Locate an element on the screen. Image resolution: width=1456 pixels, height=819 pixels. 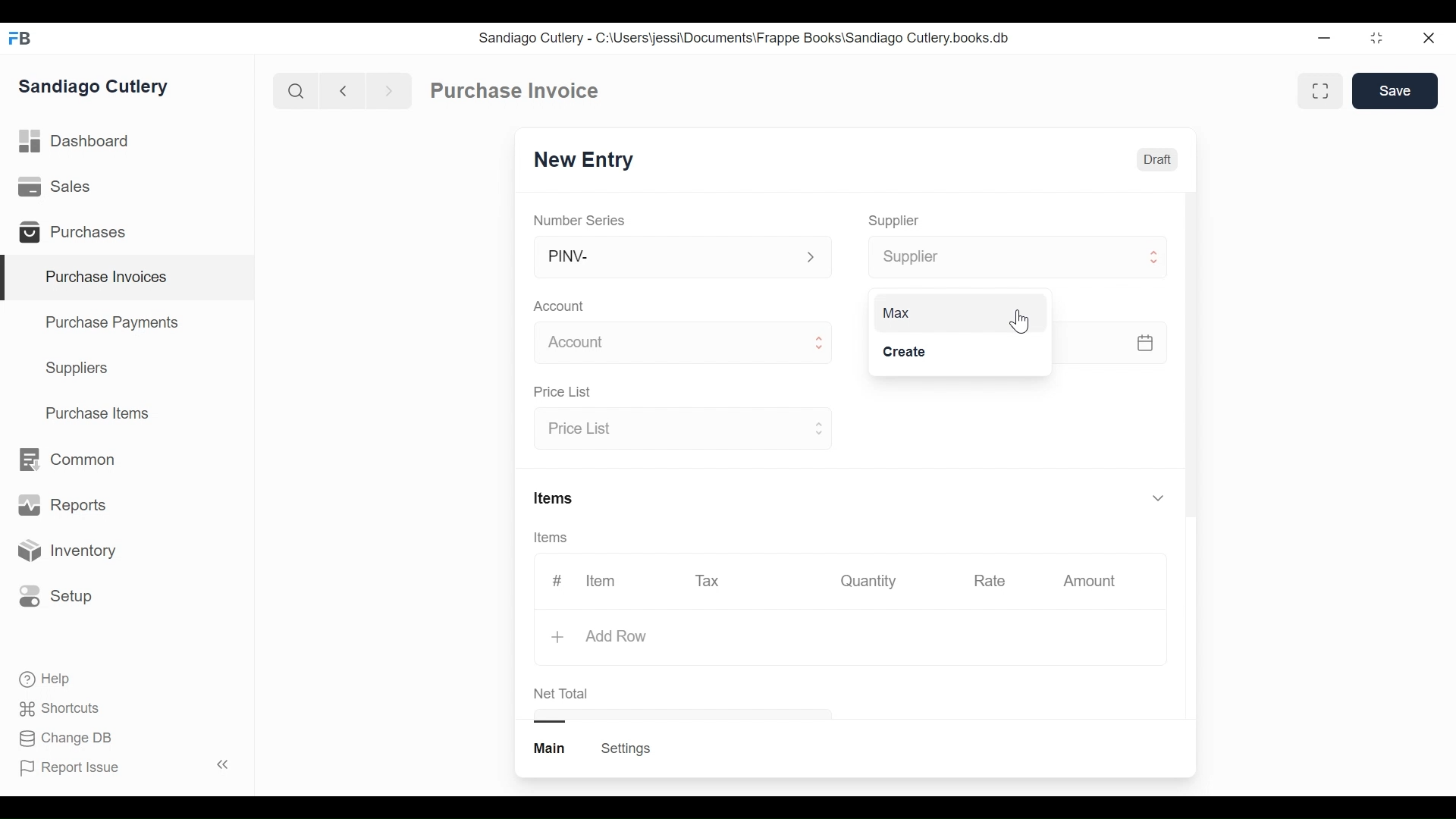
Purchase Payments is located at coordinates (115, 325).